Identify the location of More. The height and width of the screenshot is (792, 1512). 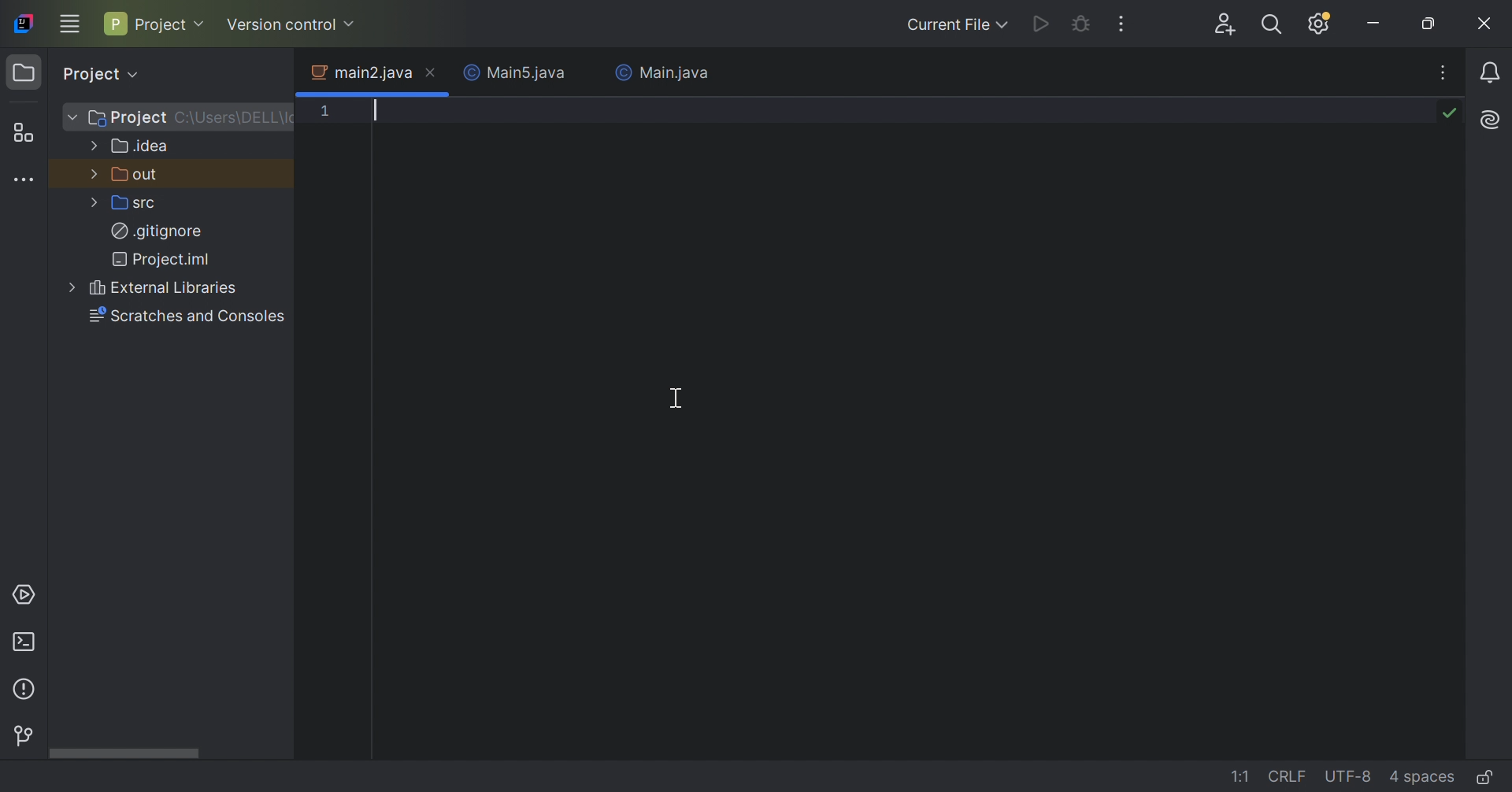
(92, 172).